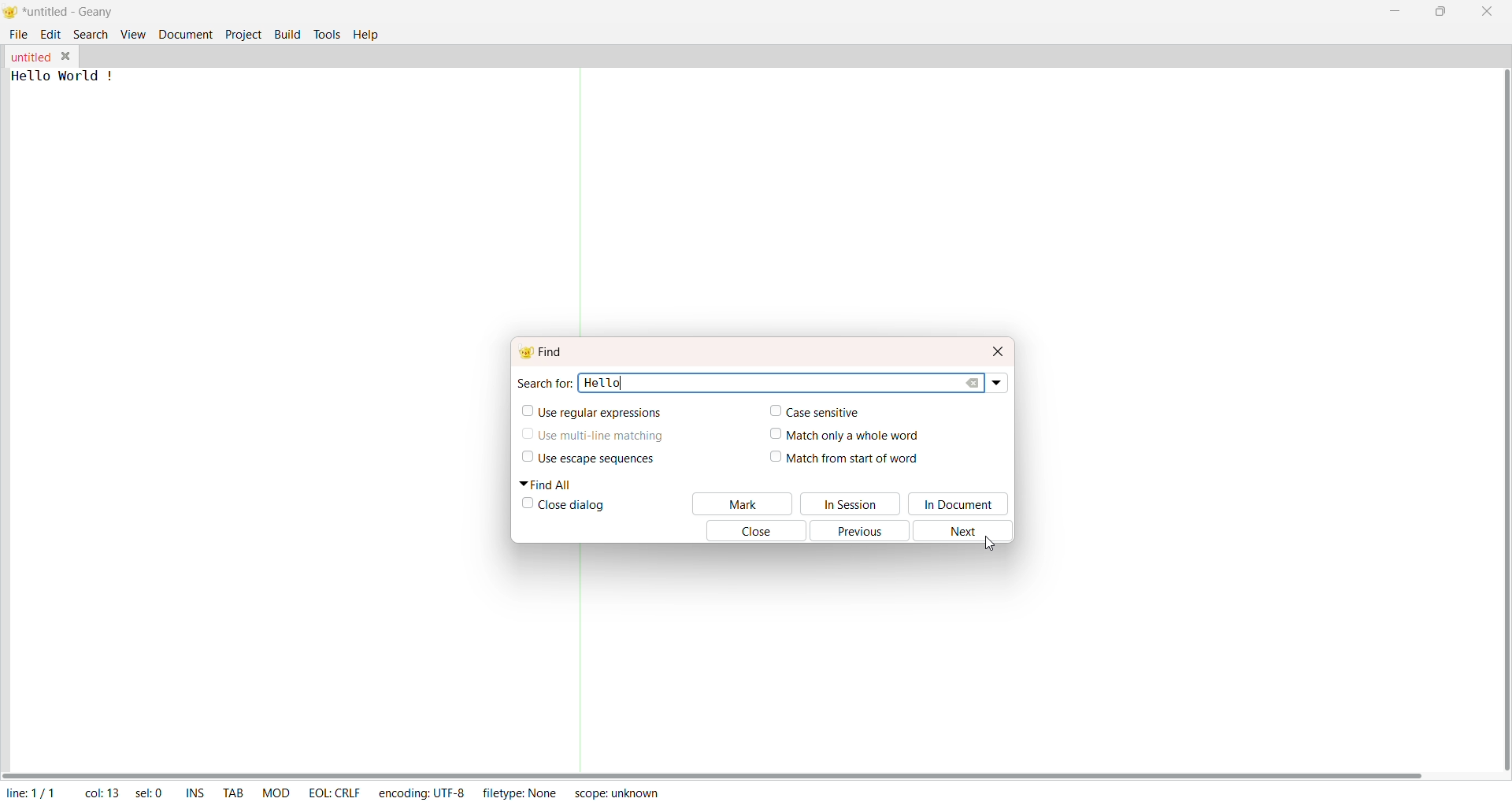 This screenshot has height=802, width=1512. What do you see at coordinates (148, 792) in the screenshot?
I see `Sel: 5` at bounding box center [148, 792].